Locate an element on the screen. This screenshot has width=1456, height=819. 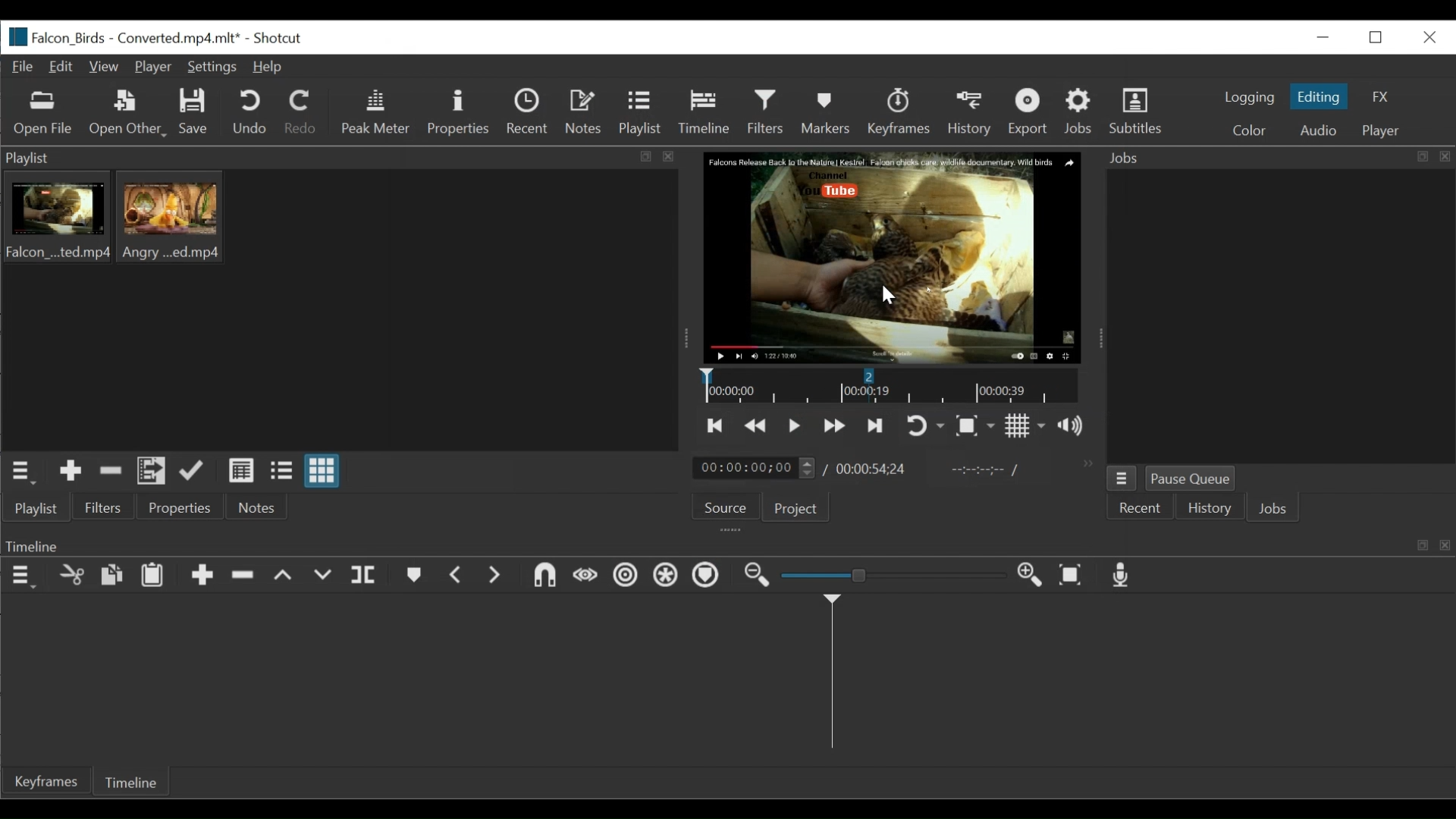
Remove cut is located at coordinates (108, 472).